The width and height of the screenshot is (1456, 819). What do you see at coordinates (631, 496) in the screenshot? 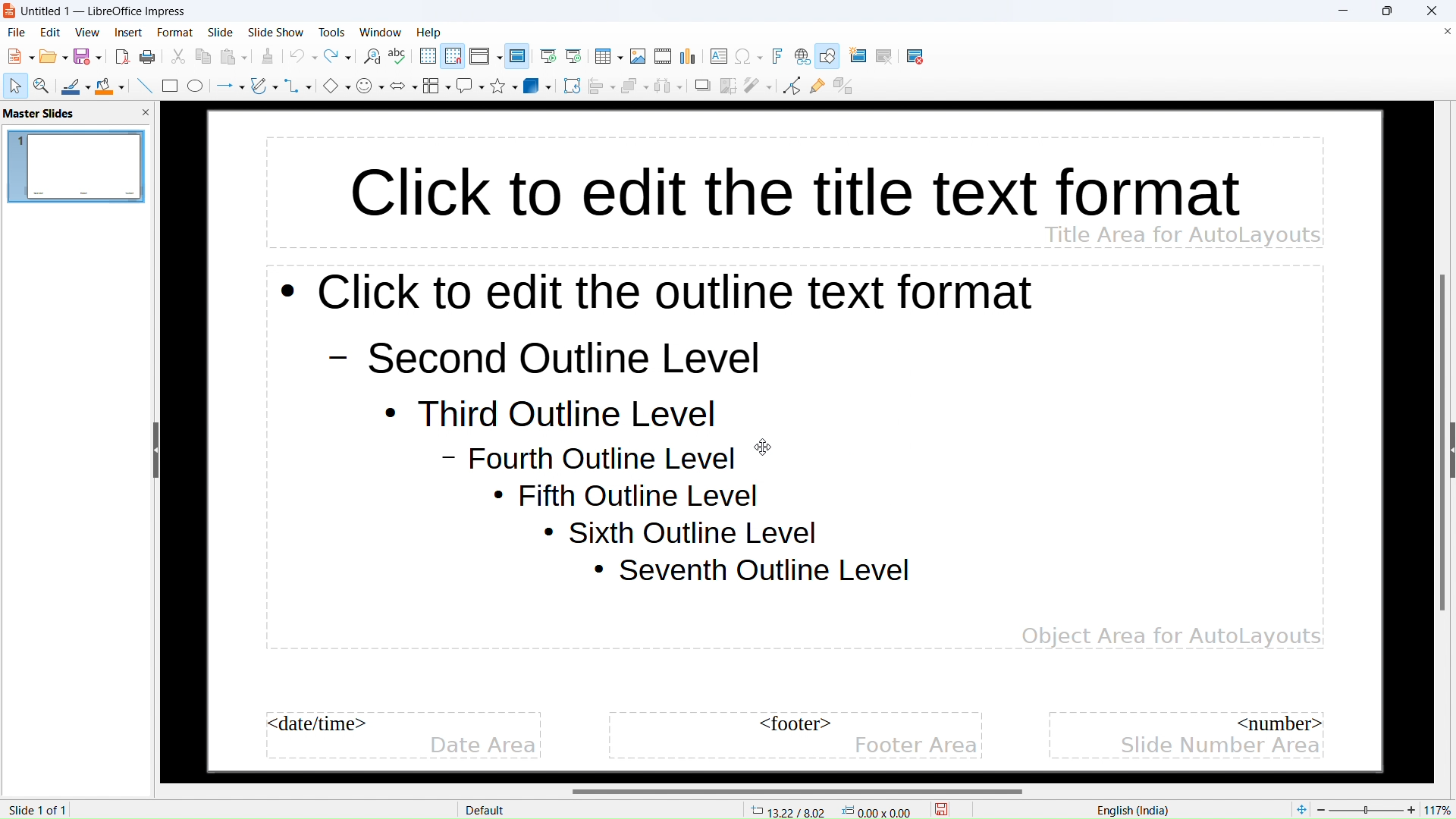
I see `Fifth outline level` at bounding box center [631, 496].